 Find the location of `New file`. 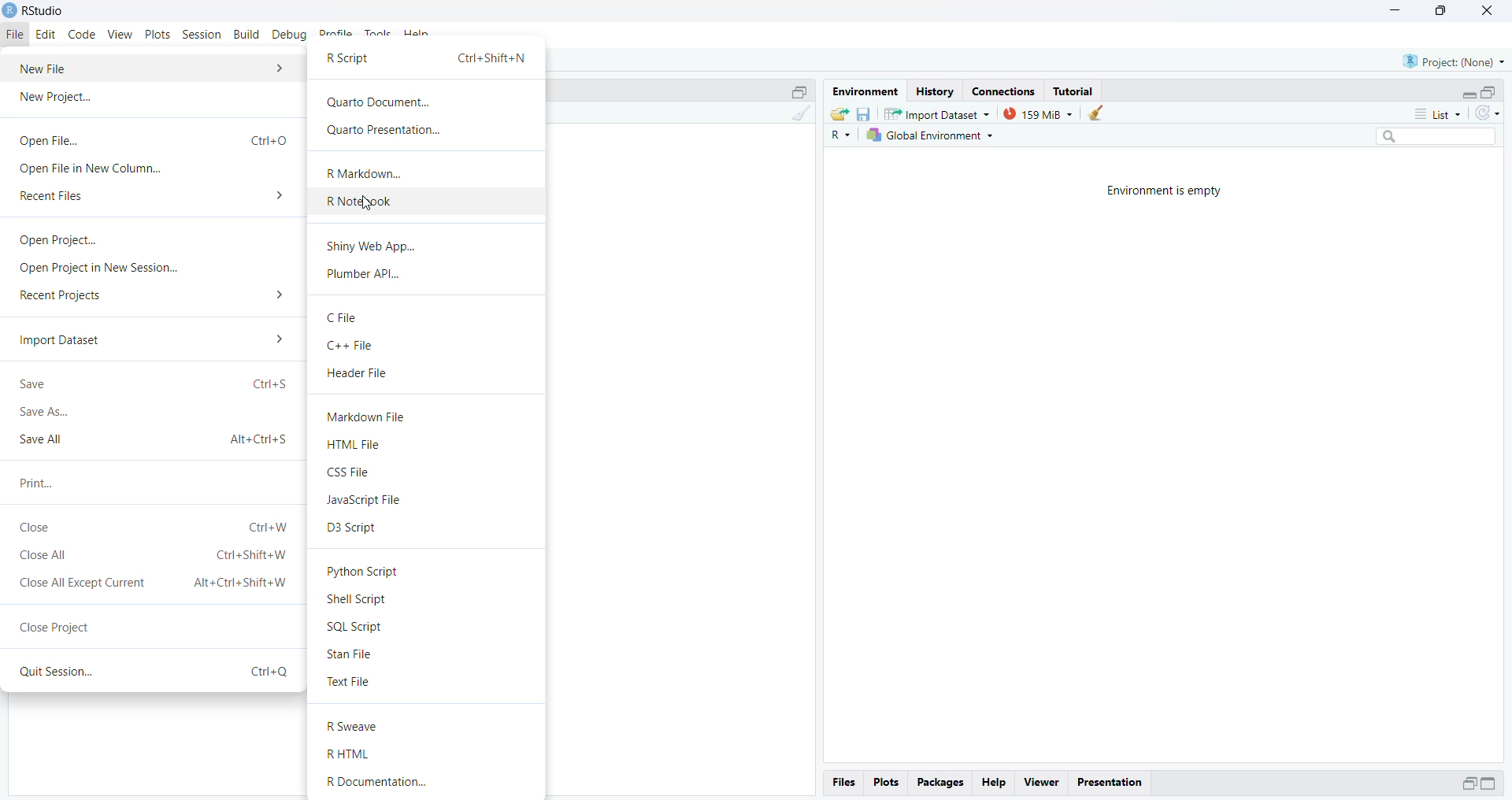

New file is located at coordinates (153, 68).